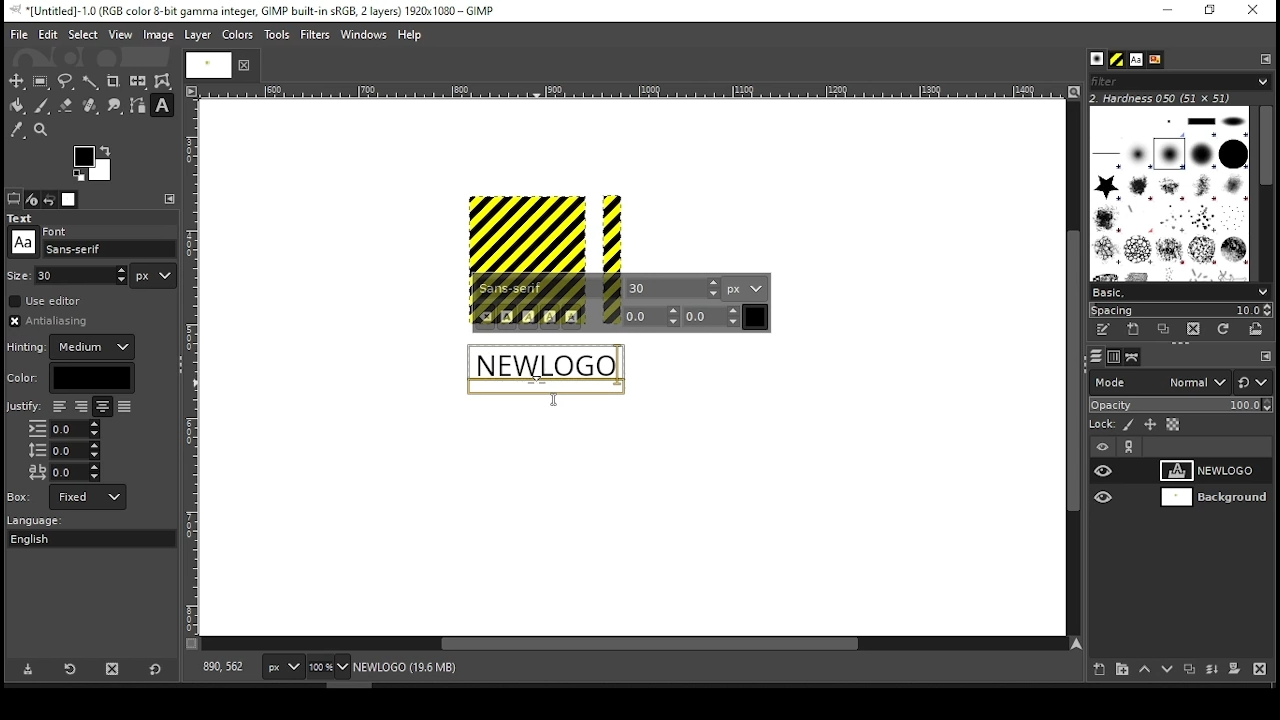 This screenshot has height=720, width=1280. Describe the element at coordinates (1222, 331) in the screenshot. I see `refresh brushes` at that location.